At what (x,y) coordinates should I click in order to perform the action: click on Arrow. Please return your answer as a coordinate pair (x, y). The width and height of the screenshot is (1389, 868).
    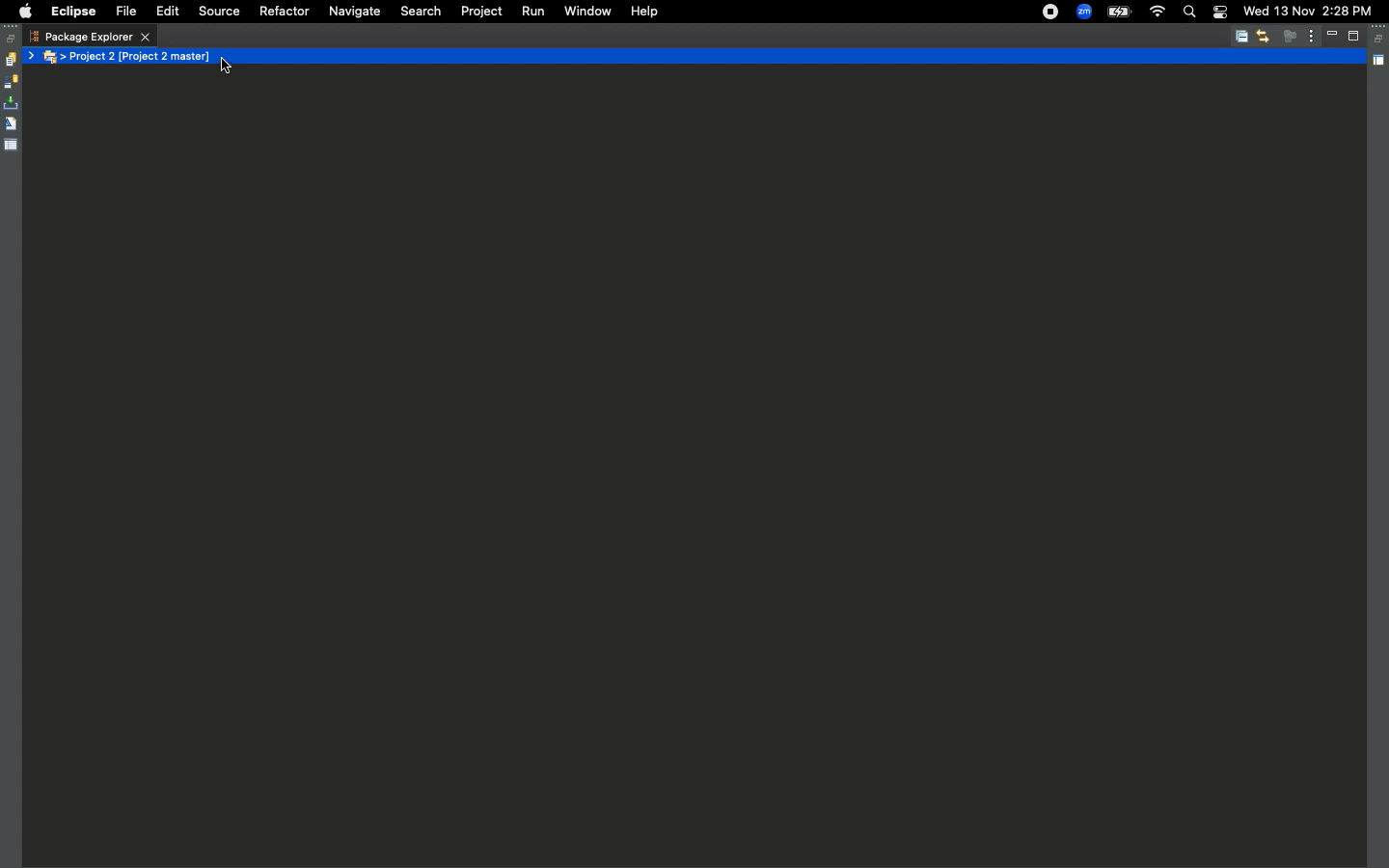
    Looking at the image, I should click on (65, 58).